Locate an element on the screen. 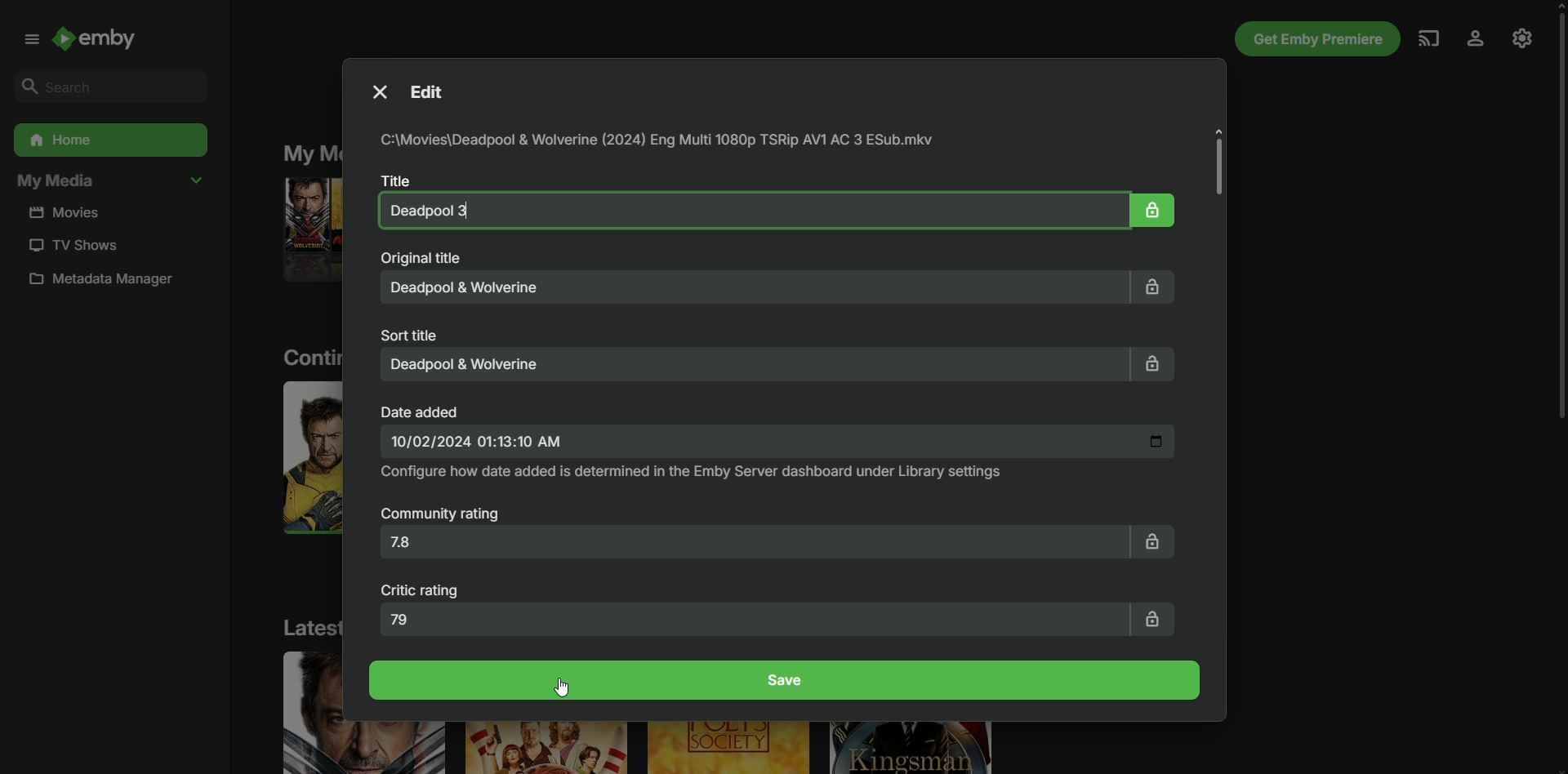  Search is located at coordinates (105, 86).